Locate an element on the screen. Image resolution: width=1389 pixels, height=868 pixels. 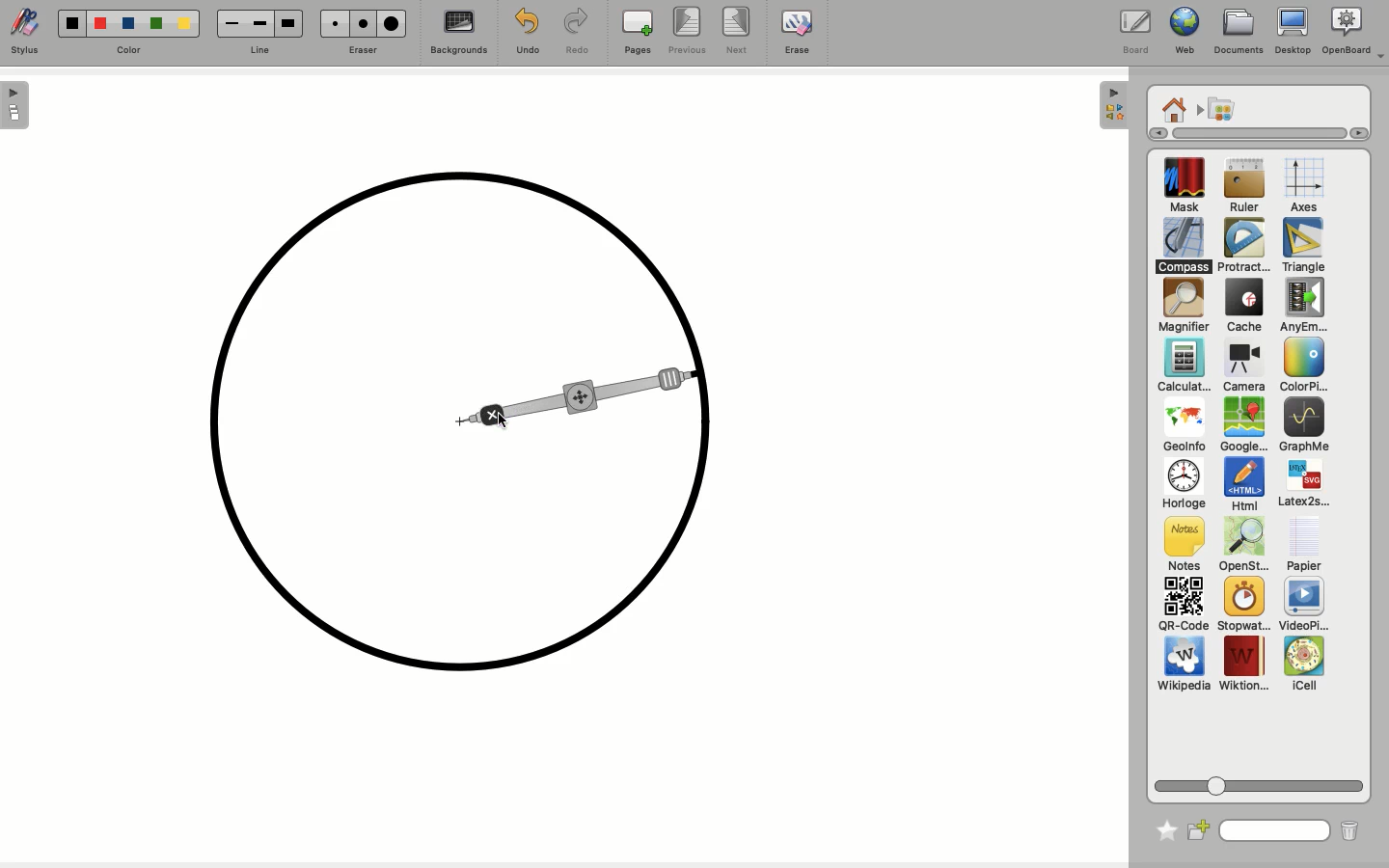
Pages is located at coordinates (638, 34).